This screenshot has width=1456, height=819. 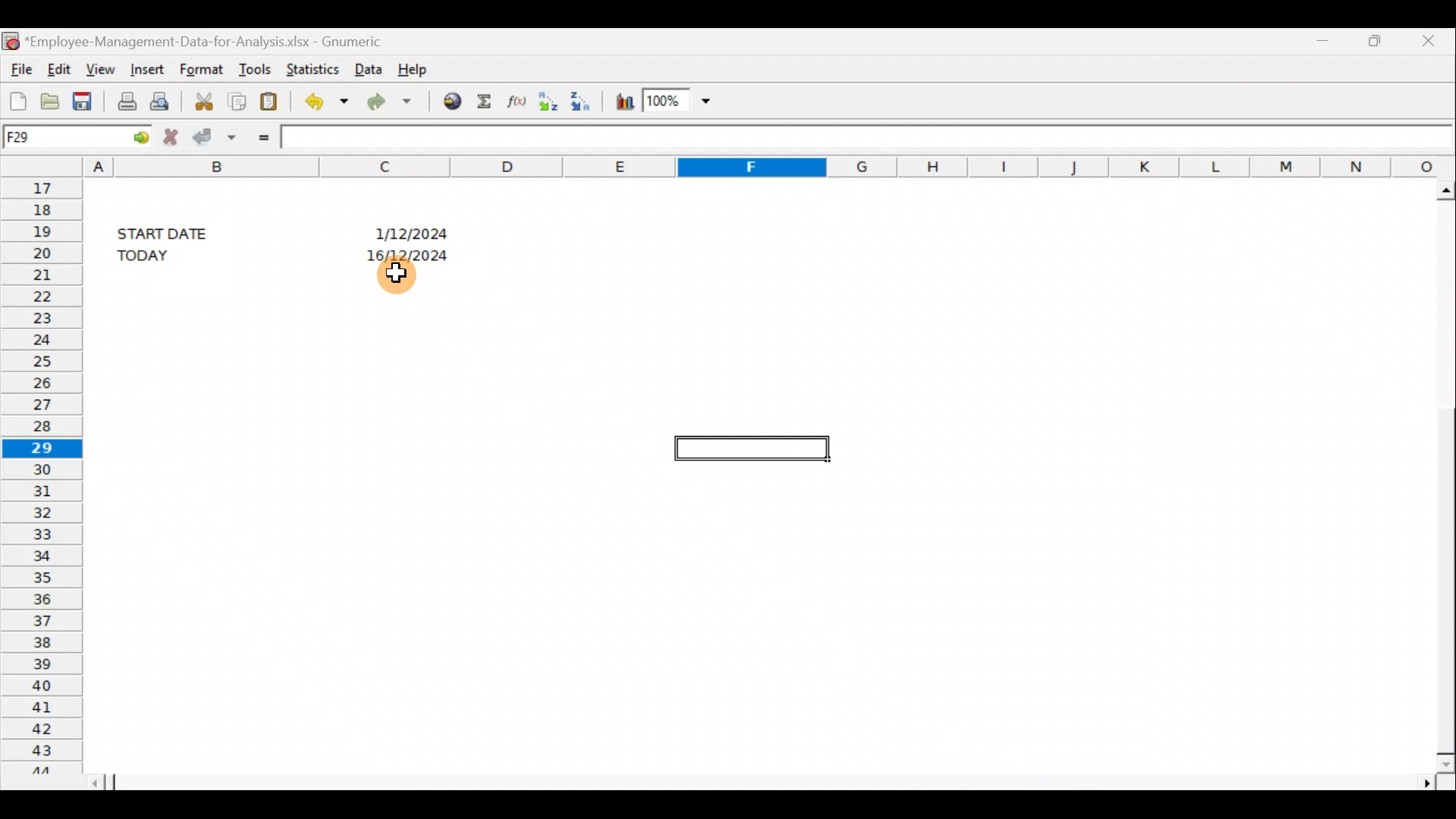 What do you see at coordinates (584, 101) in the screenshot?
I see `Sort in descending order` at bounding box center [584, 101].